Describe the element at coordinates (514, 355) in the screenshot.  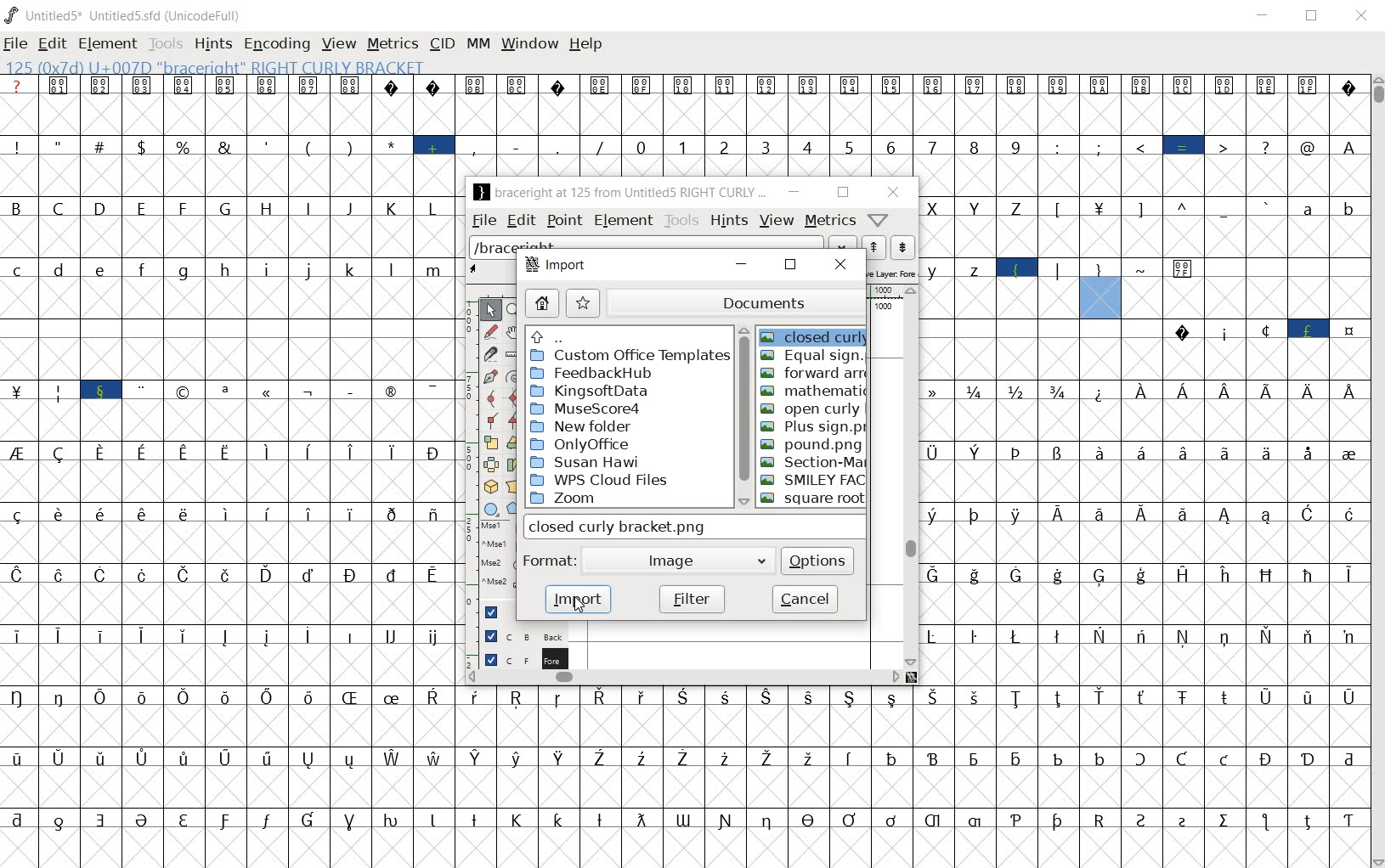
I see `measure a distance, angle between points` at that location.